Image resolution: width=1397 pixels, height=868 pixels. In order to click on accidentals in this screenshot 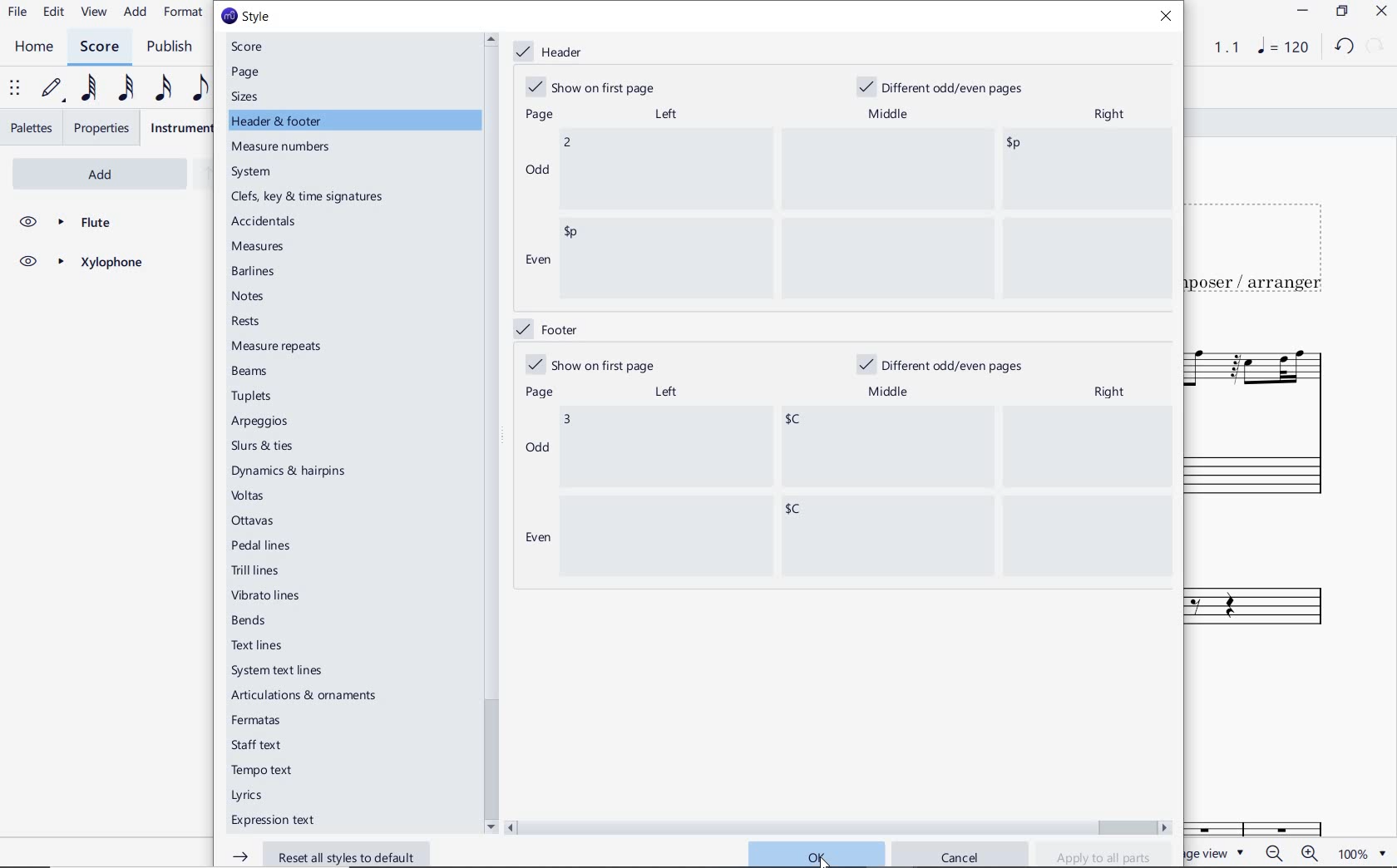, I will do `click(266, 220)`.